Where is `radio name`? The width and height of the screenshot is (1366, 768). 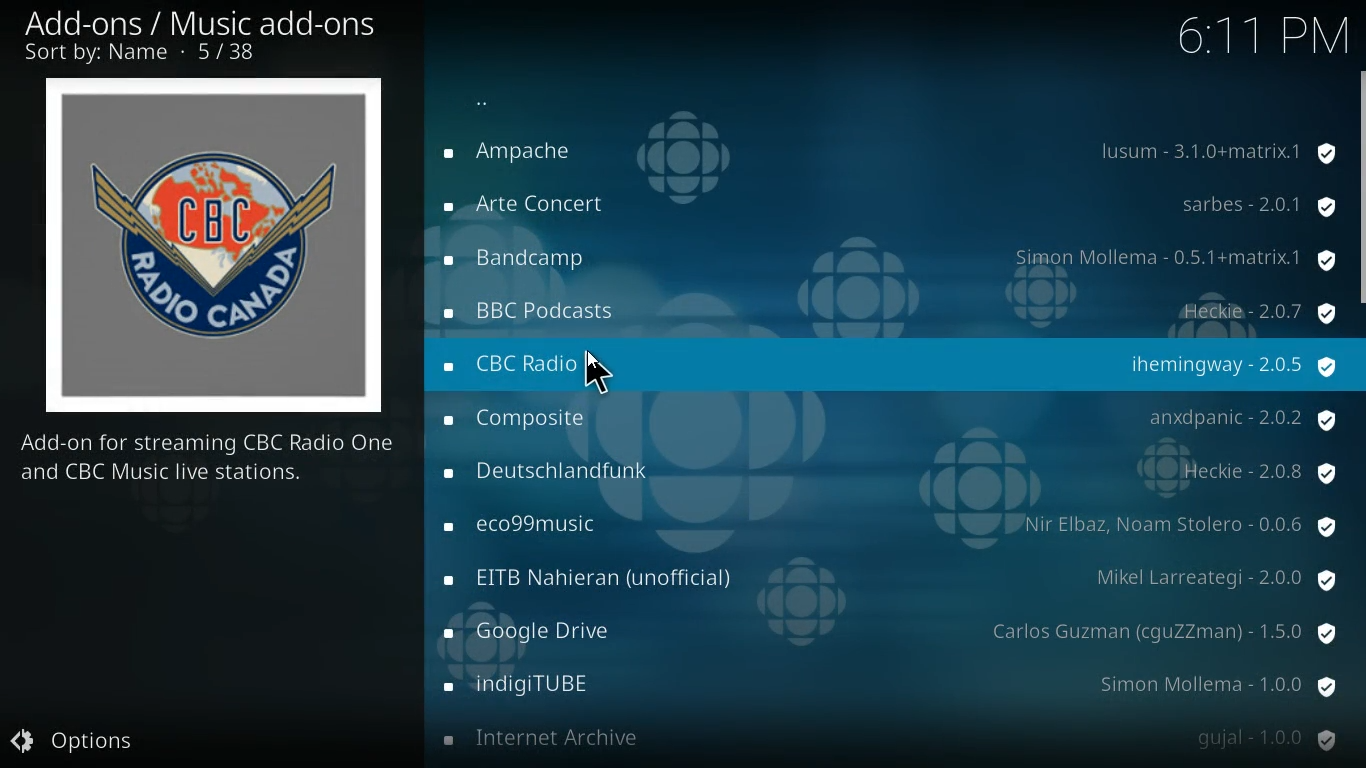 radio name is located at coordinates (544, 628).